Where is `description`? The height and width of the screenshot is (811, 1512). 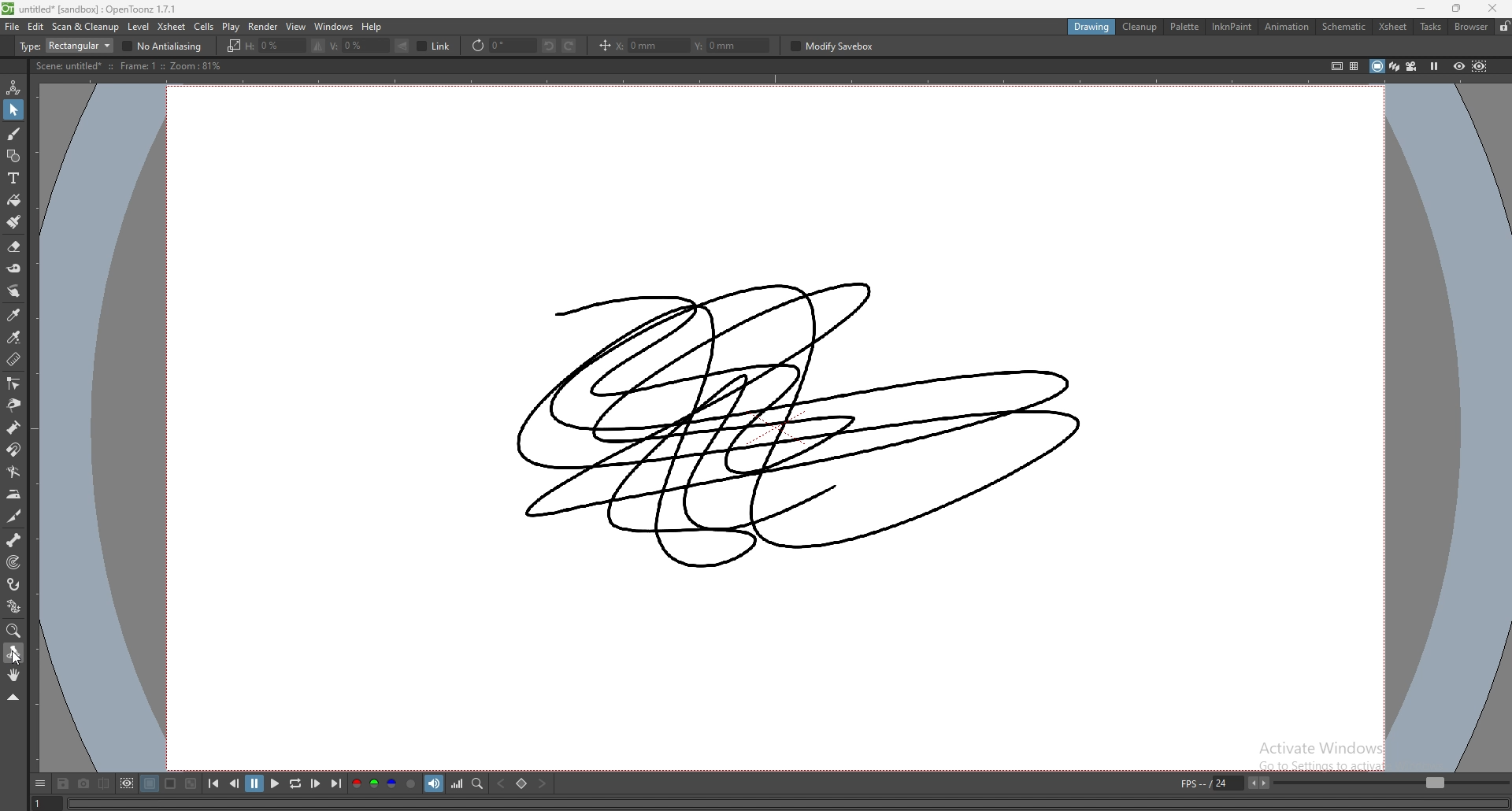
description is located at coordinates (131, 66).